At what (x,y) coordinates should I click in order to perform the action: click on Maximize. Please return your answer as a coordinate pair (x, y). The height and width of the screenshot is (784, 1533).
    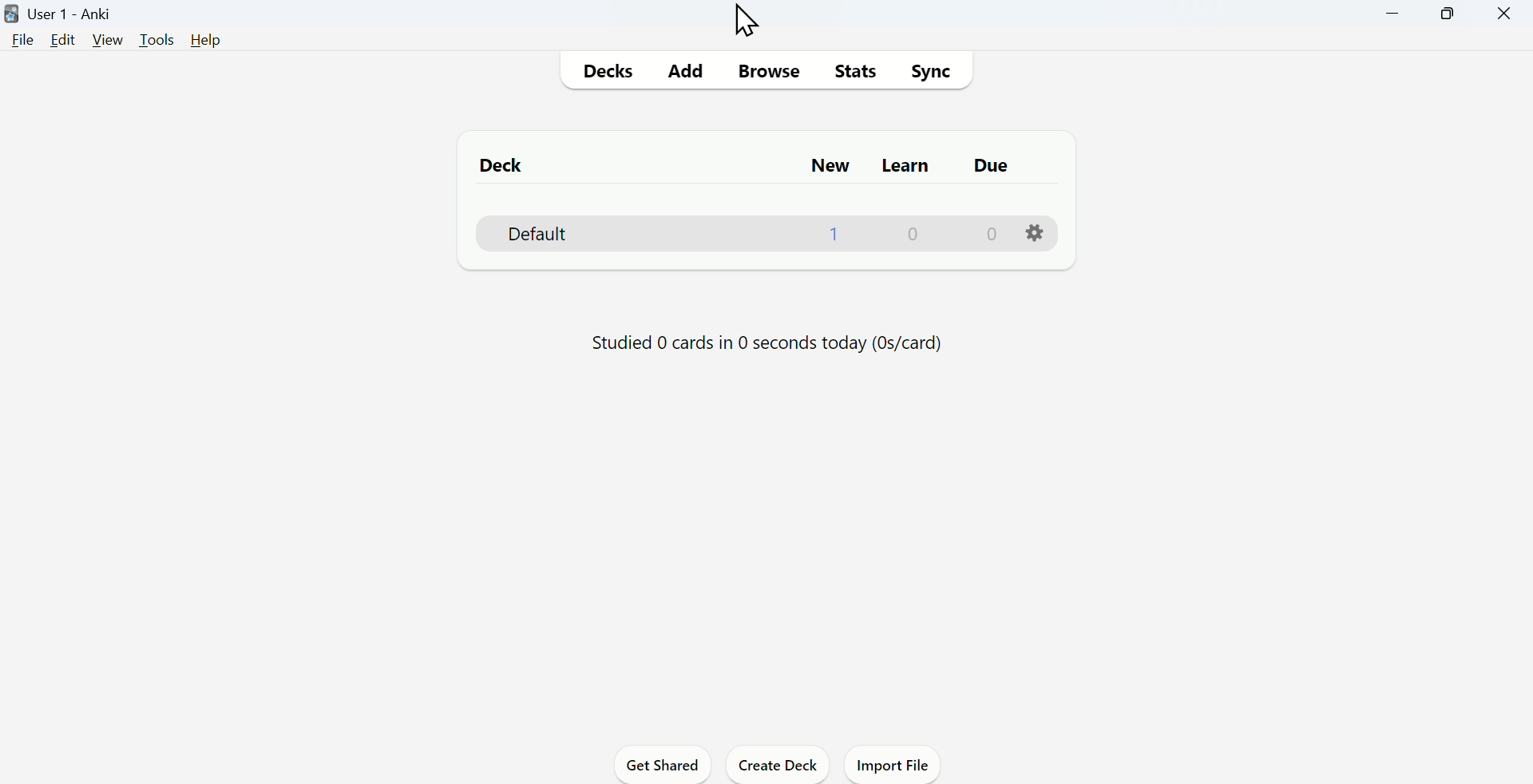
    Looking at the image, I should click on (1450, 14).